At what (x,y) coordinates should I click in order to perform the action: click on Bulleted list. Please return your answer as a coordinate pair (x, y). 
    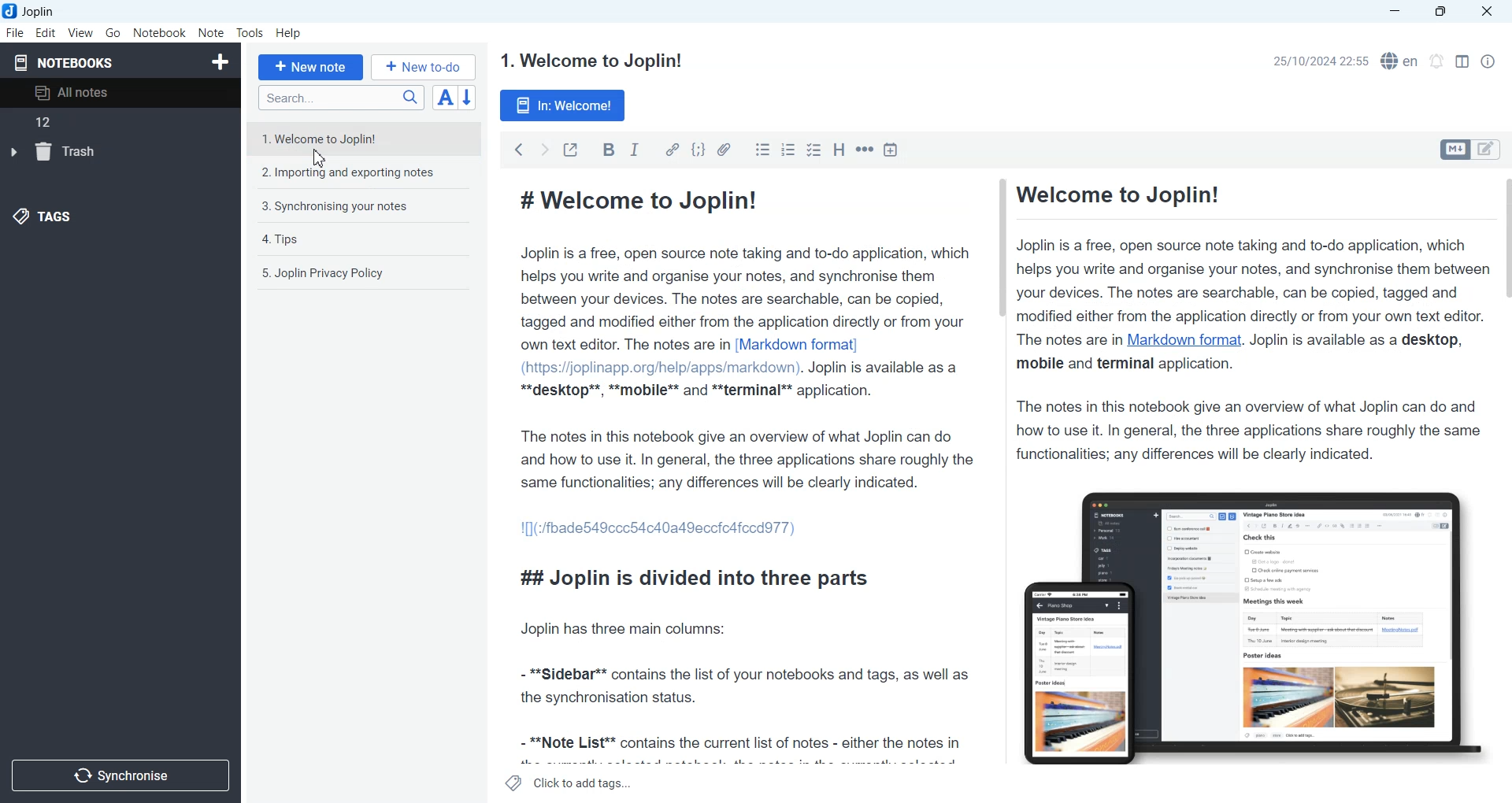
    Looking at the image, I should click on (762, 149).